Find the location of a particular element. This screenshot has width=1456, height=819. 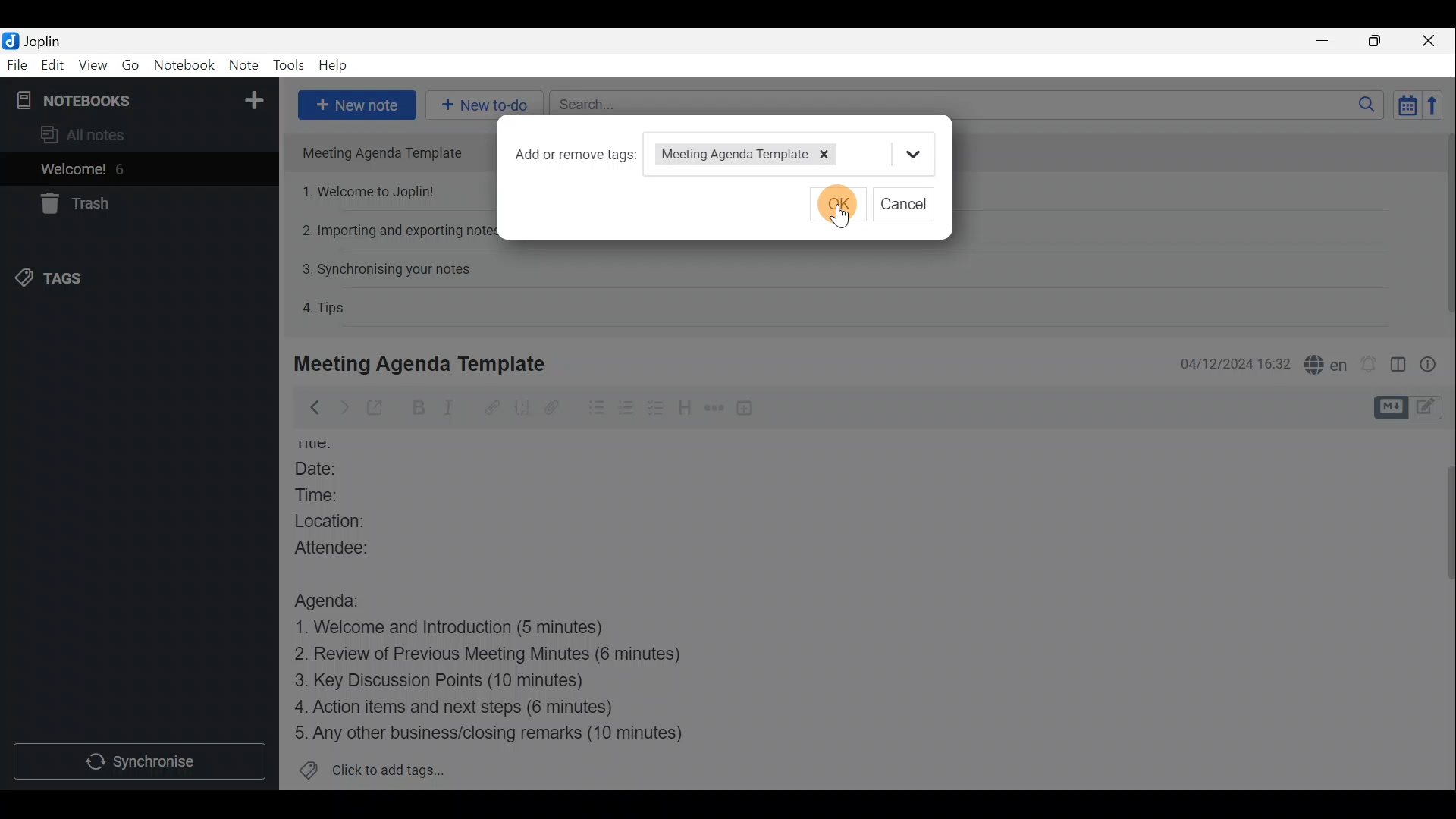

more options is located at coordinates (912, 154).